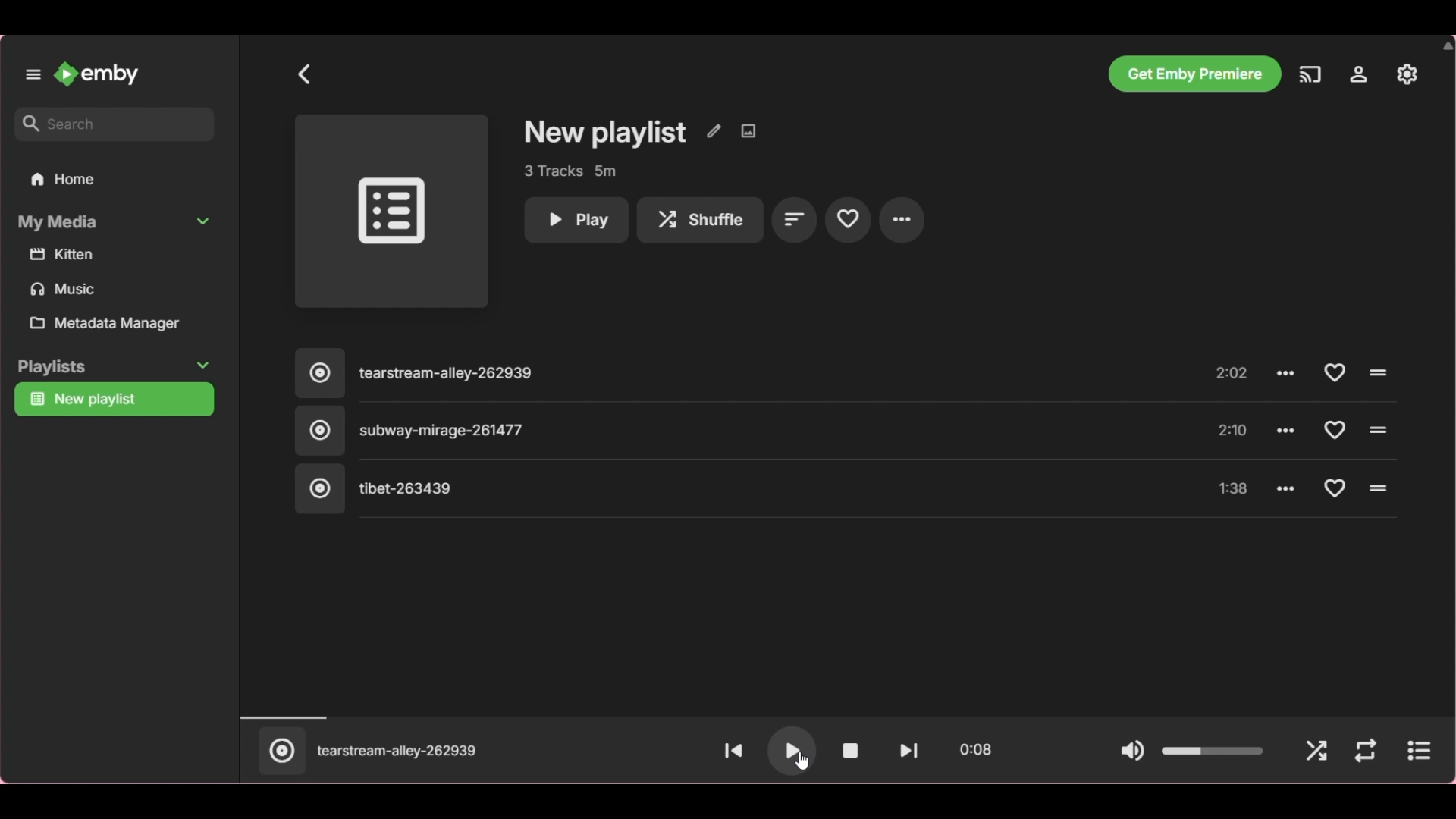 The width and height of the screenshot is (1456, 819). I want to click on Shuffle, so click(700, 221).